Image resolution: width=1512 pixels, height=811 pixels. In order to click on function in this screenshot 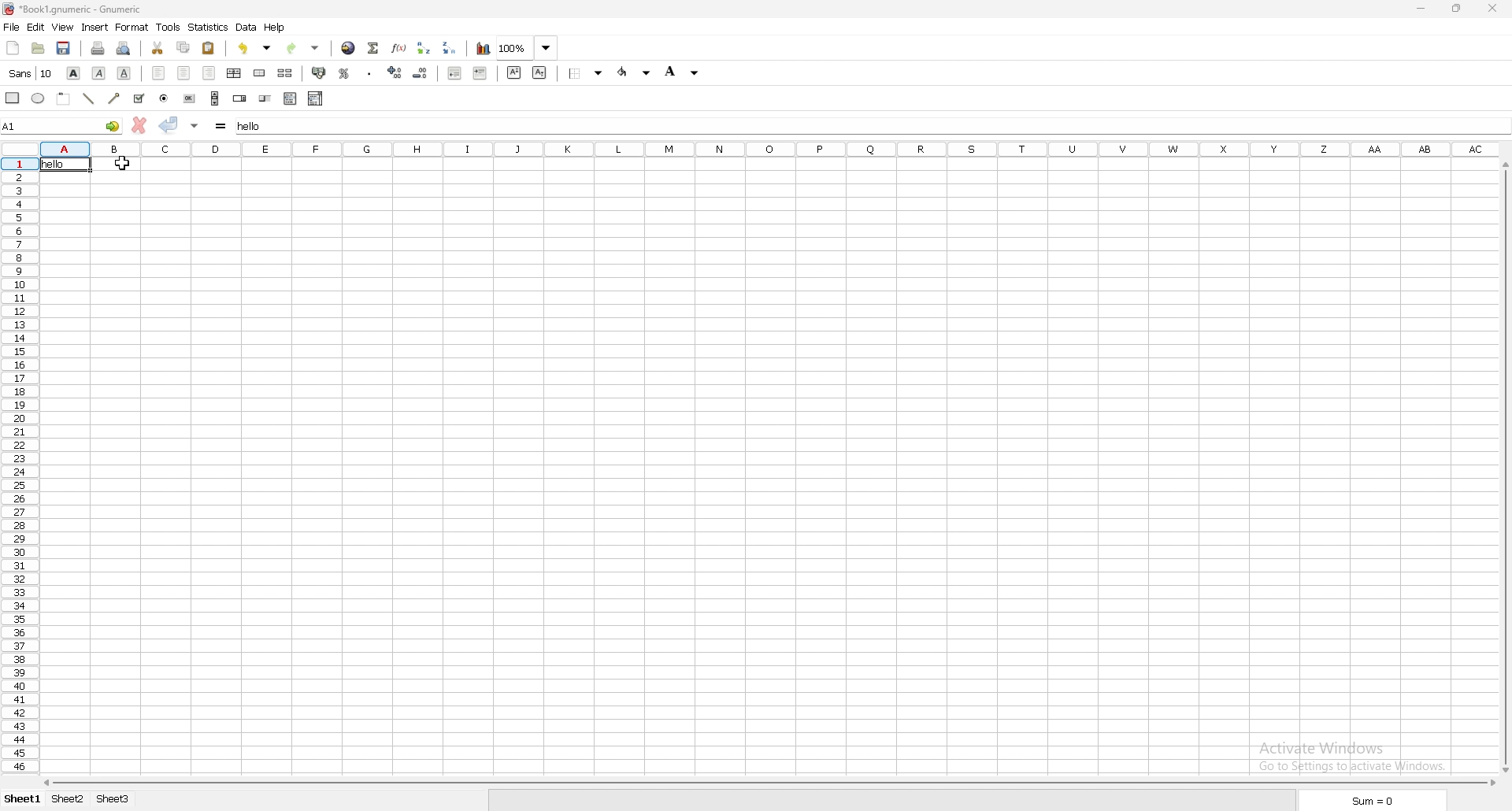, I will do `click(399, 47)`.